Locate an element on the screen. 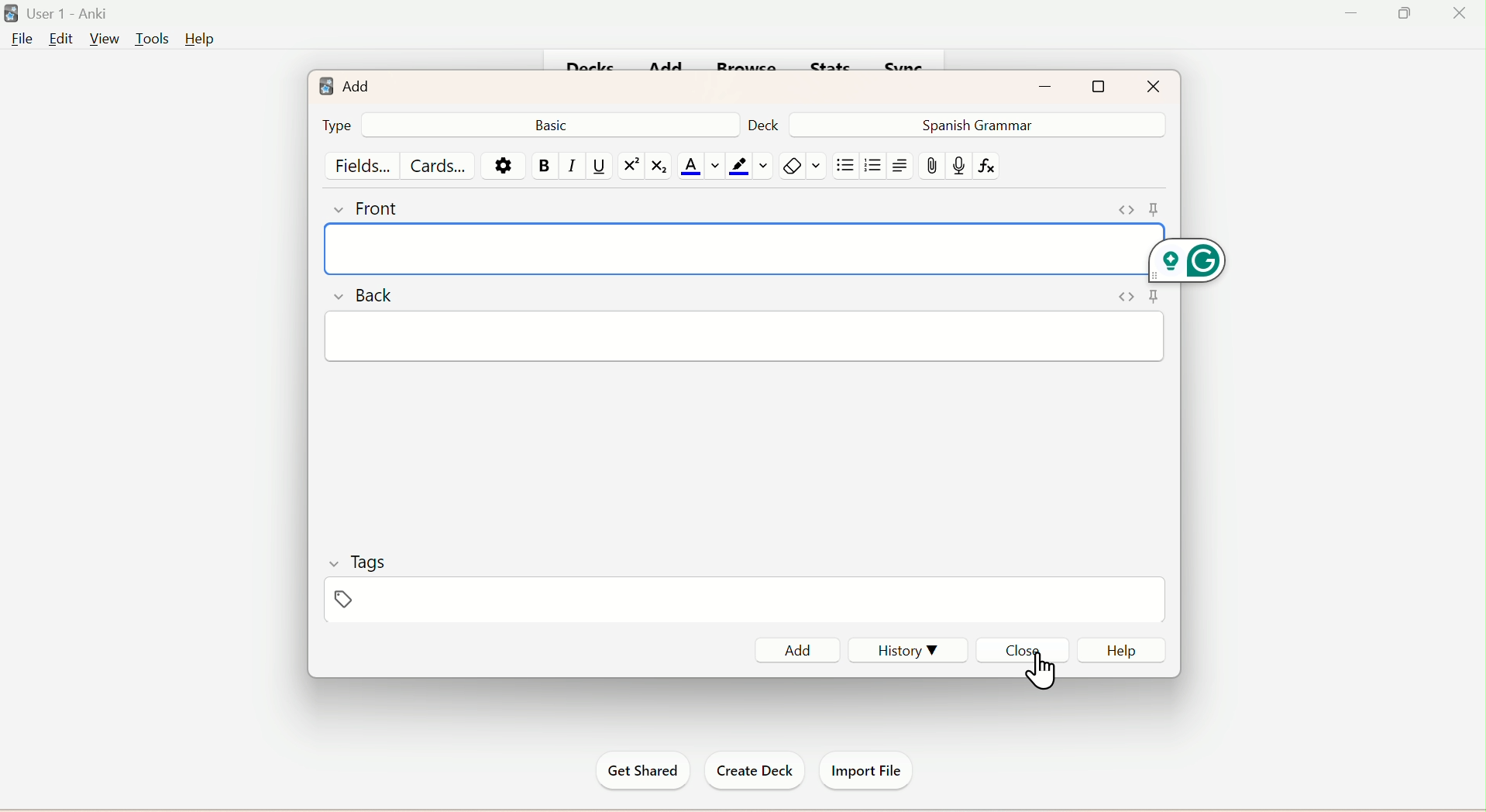  Tags is located at coordinates (369, 602).